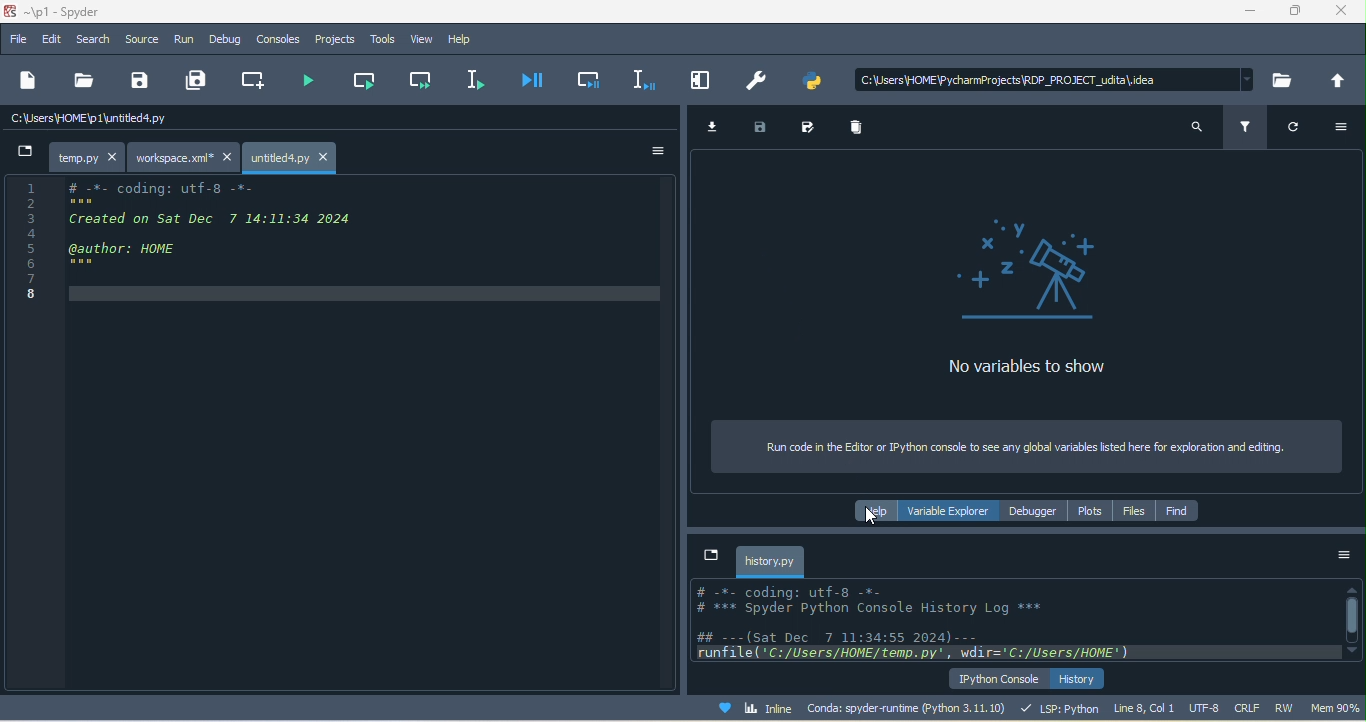 The height and width of the screenshot is (722, 1366). I want to click on view, so click(426, 40).